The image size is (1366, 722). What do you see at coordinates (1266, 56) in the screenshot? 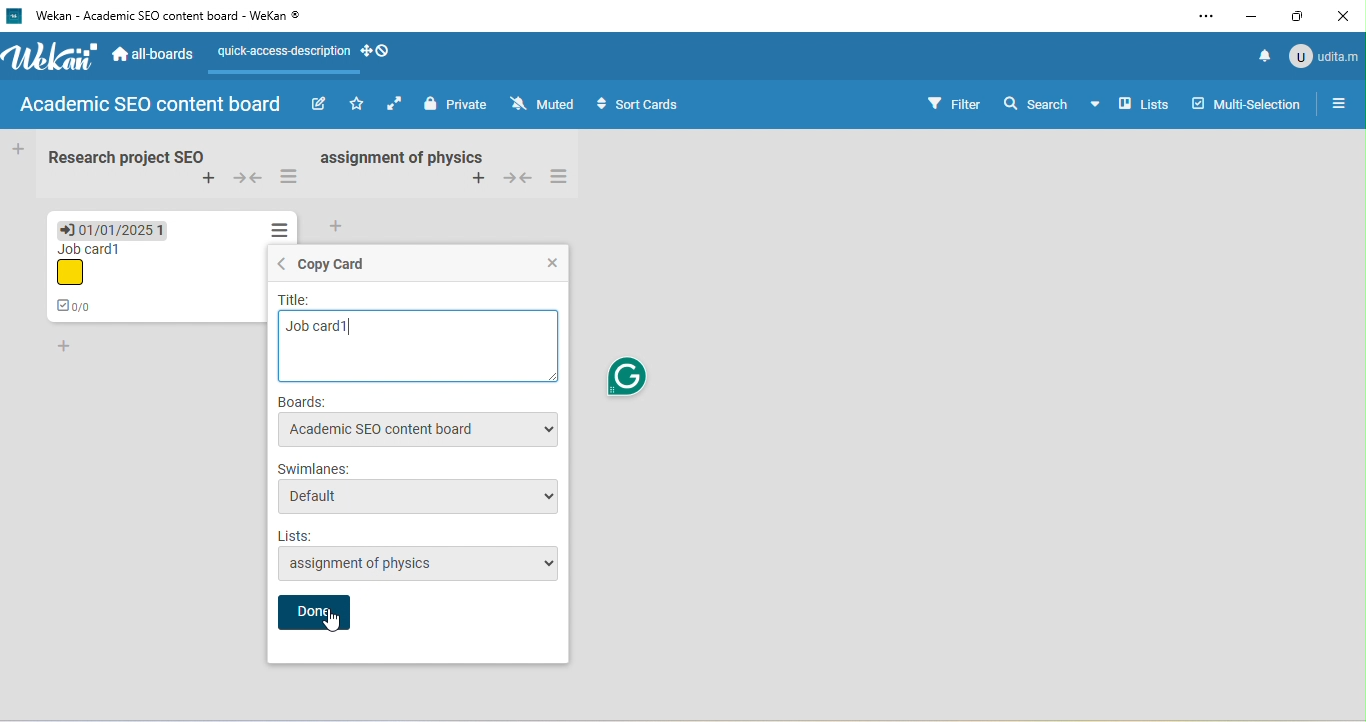
I see `notification` at bounding box center [1266, 56].